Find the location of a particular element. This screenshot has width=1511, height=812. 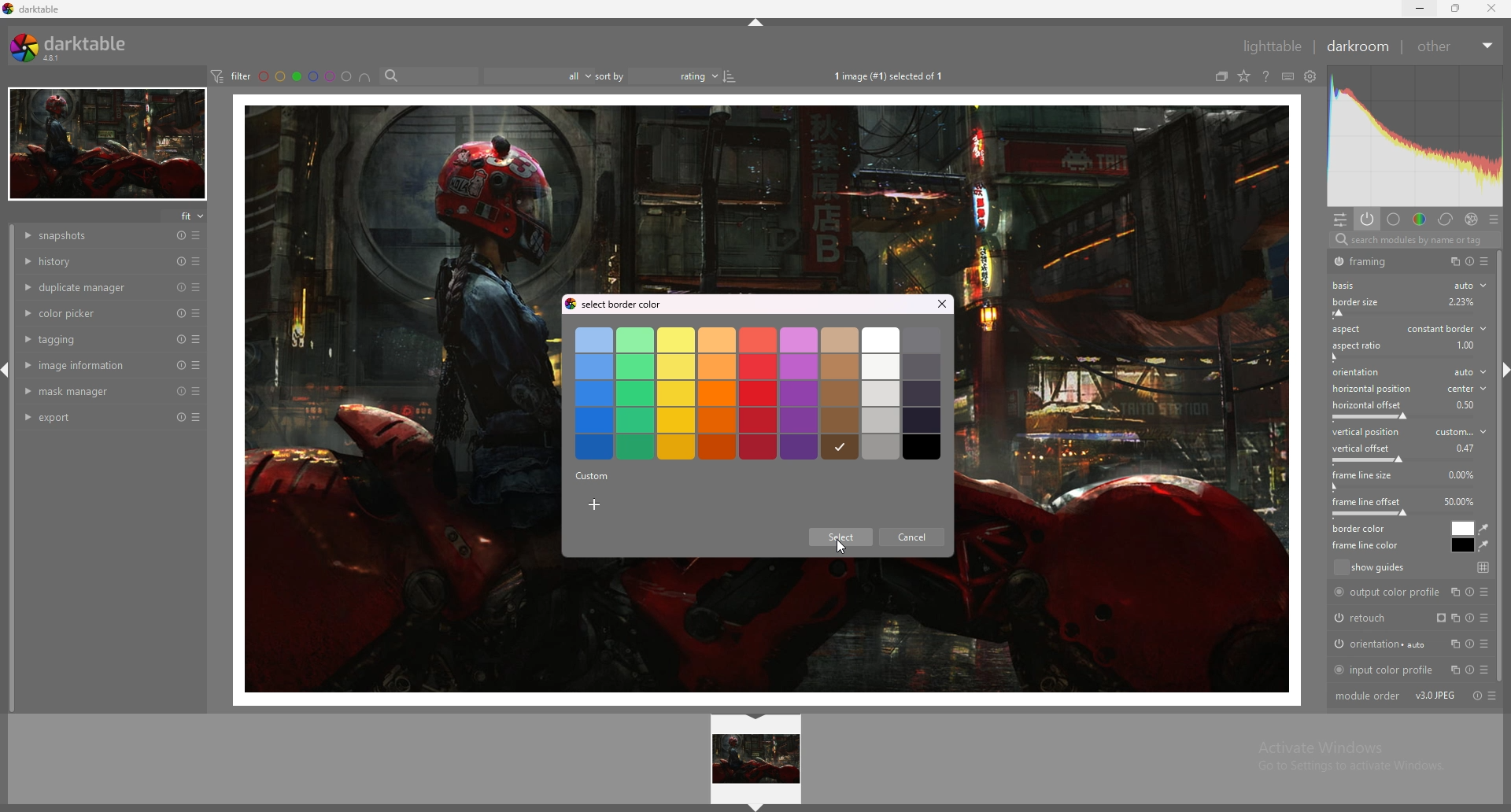

reset is located at coordinates (181, 391).